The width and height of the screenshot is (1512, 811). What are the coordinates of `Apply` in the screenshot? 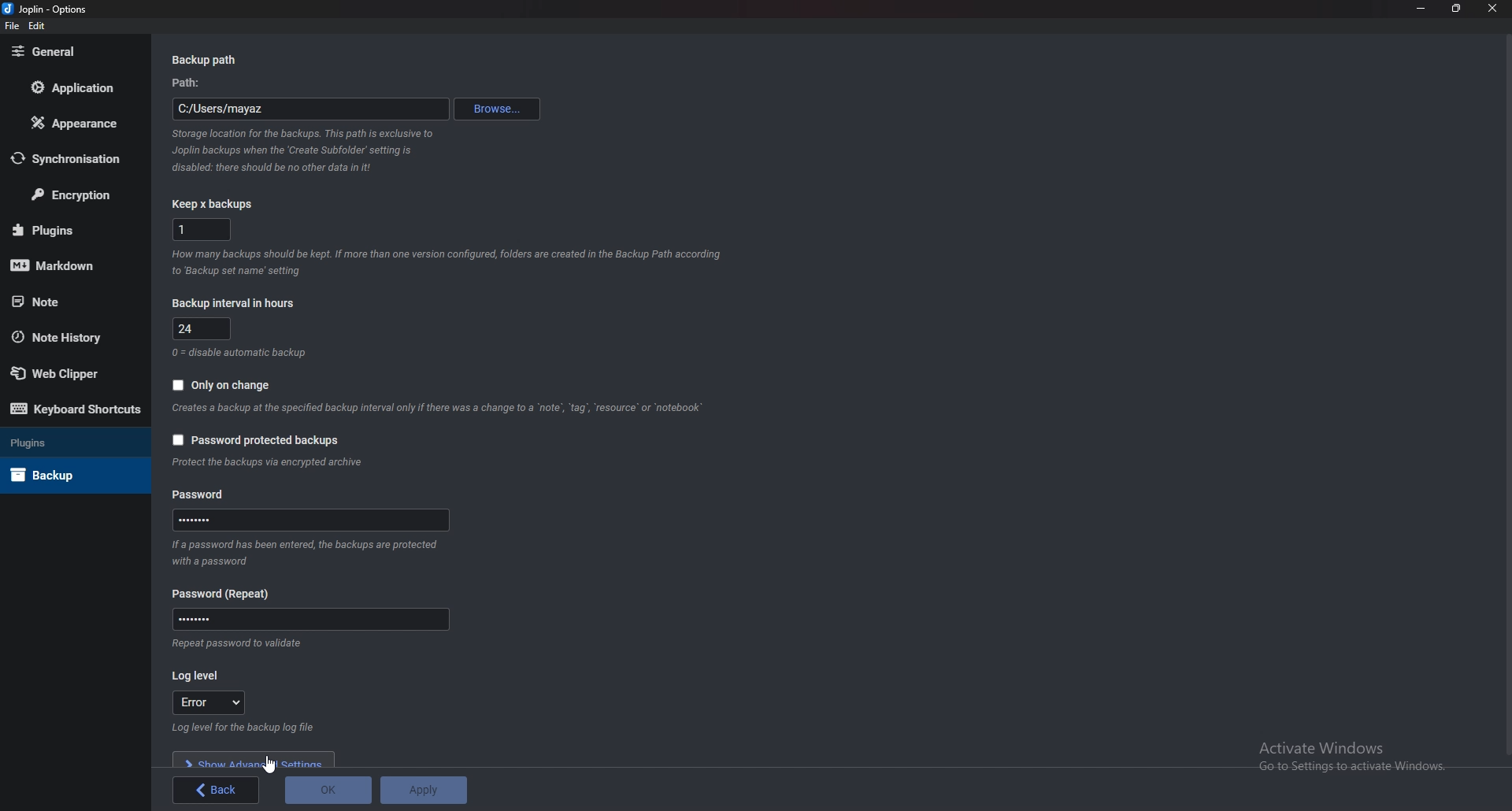 It's located at (422, 788).